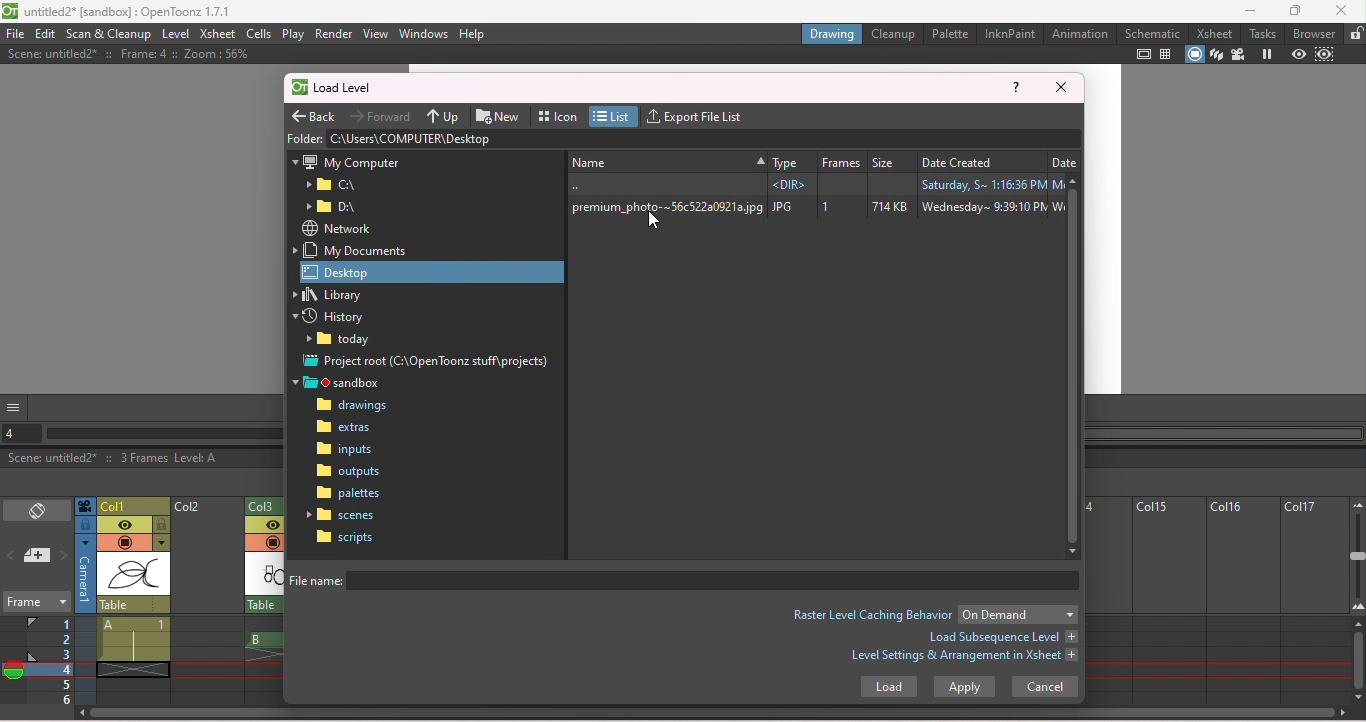  Describe the element at coordinates (124, 543) in the screenshot. I see `Camera stand visibility toggle` at that location.